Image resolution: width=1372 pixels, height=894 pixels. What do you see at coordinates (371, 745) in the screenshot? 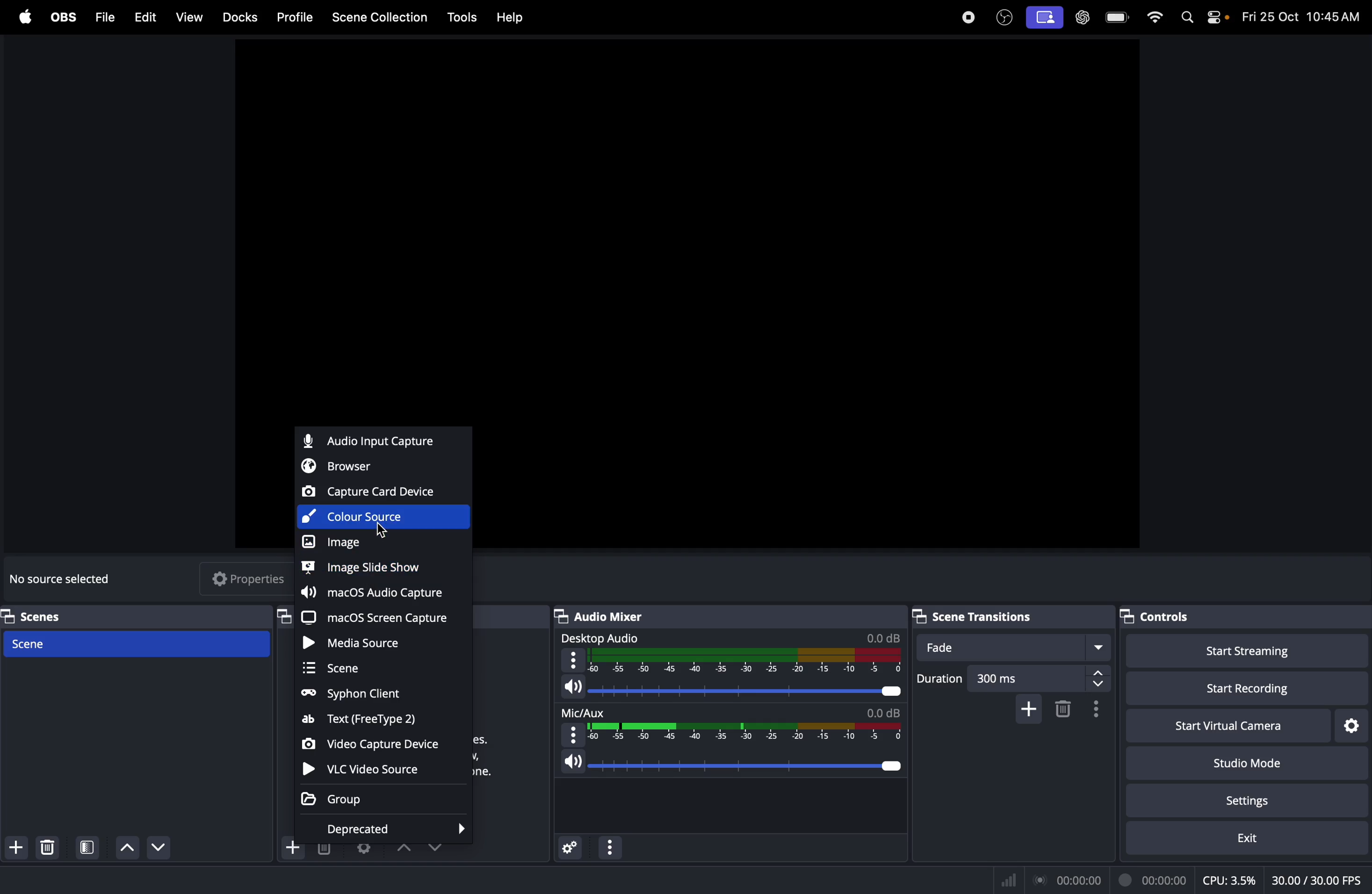
I see `video capture device` at bounding box center [371, 745].